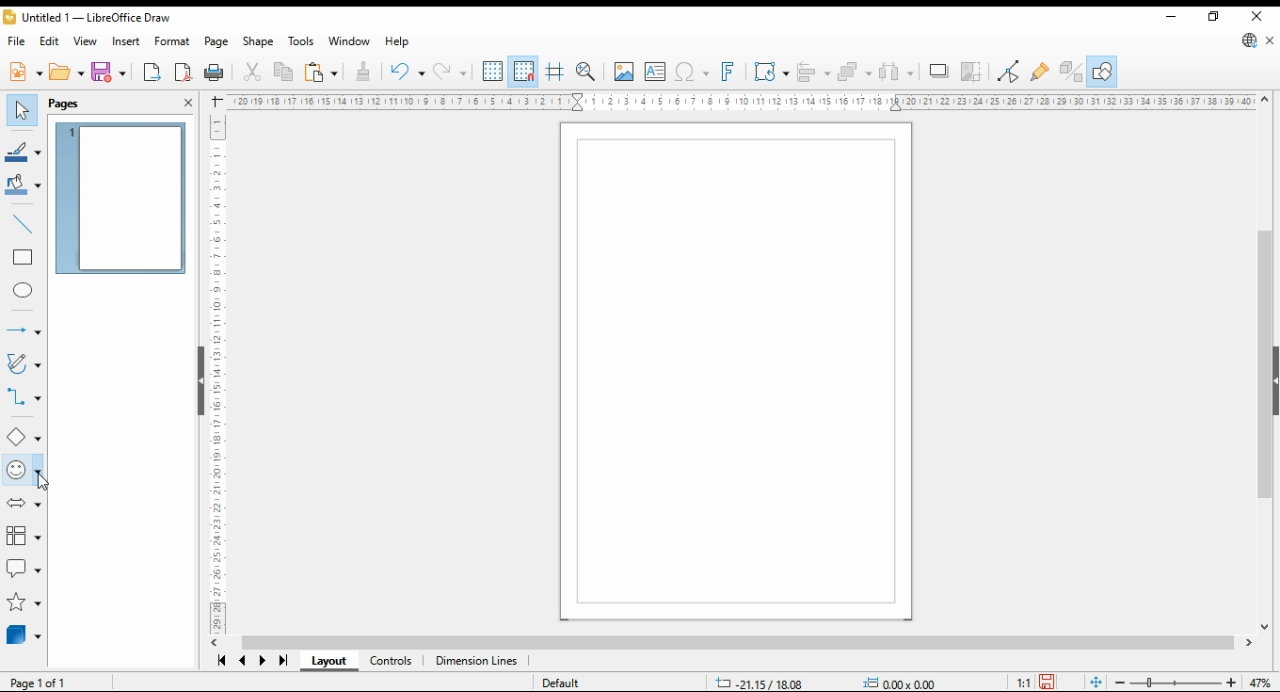  Describe the element at coordinates (587, 72) in the screenshot. I see `pan and zoom` at that location.